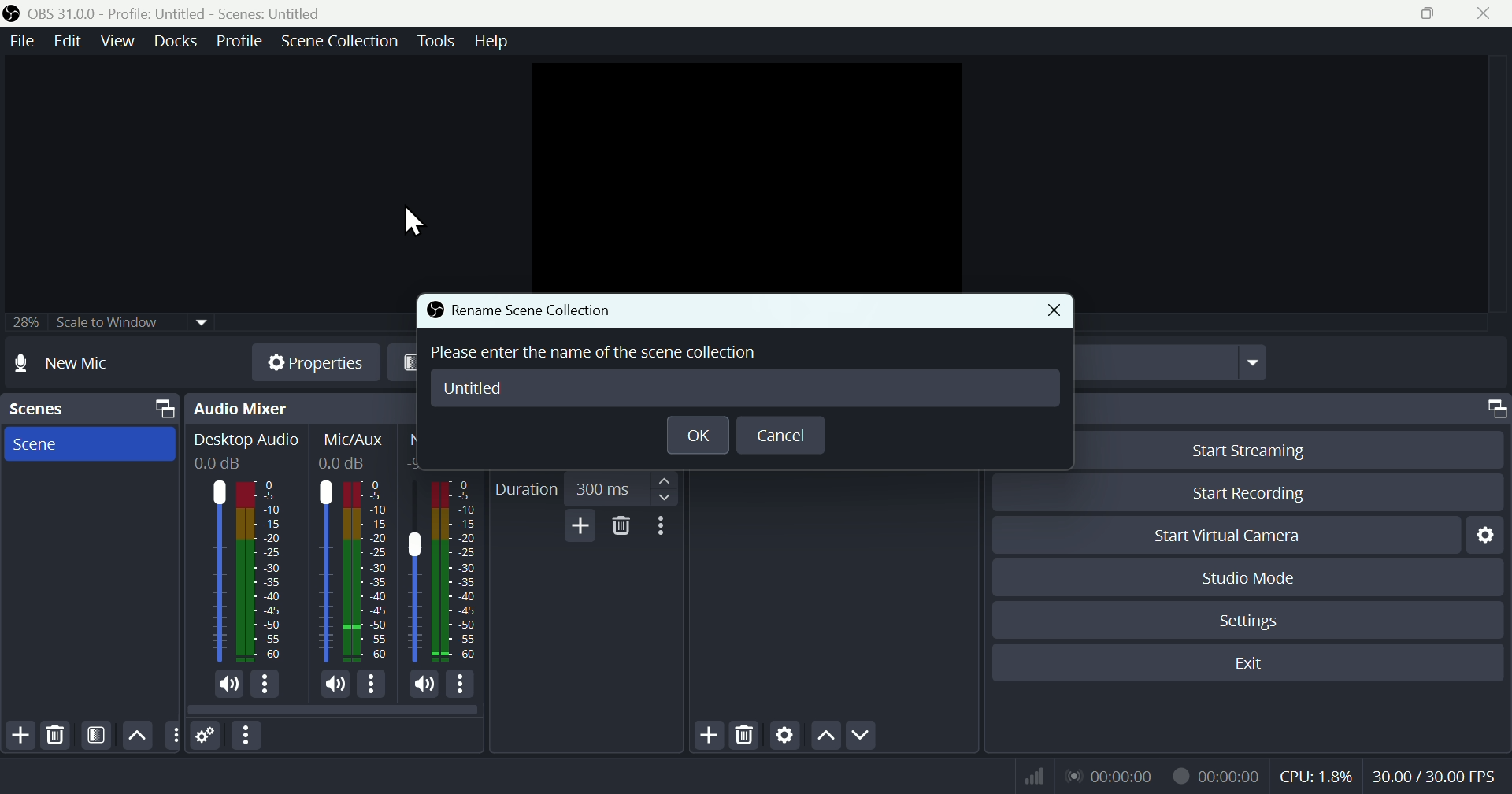 The height and width of the screenshot is (794, 1512). What do you see at coordinates (1318, 777) in the screenshot?
I see `CPU Usage` at bounding box center [1318, 777].